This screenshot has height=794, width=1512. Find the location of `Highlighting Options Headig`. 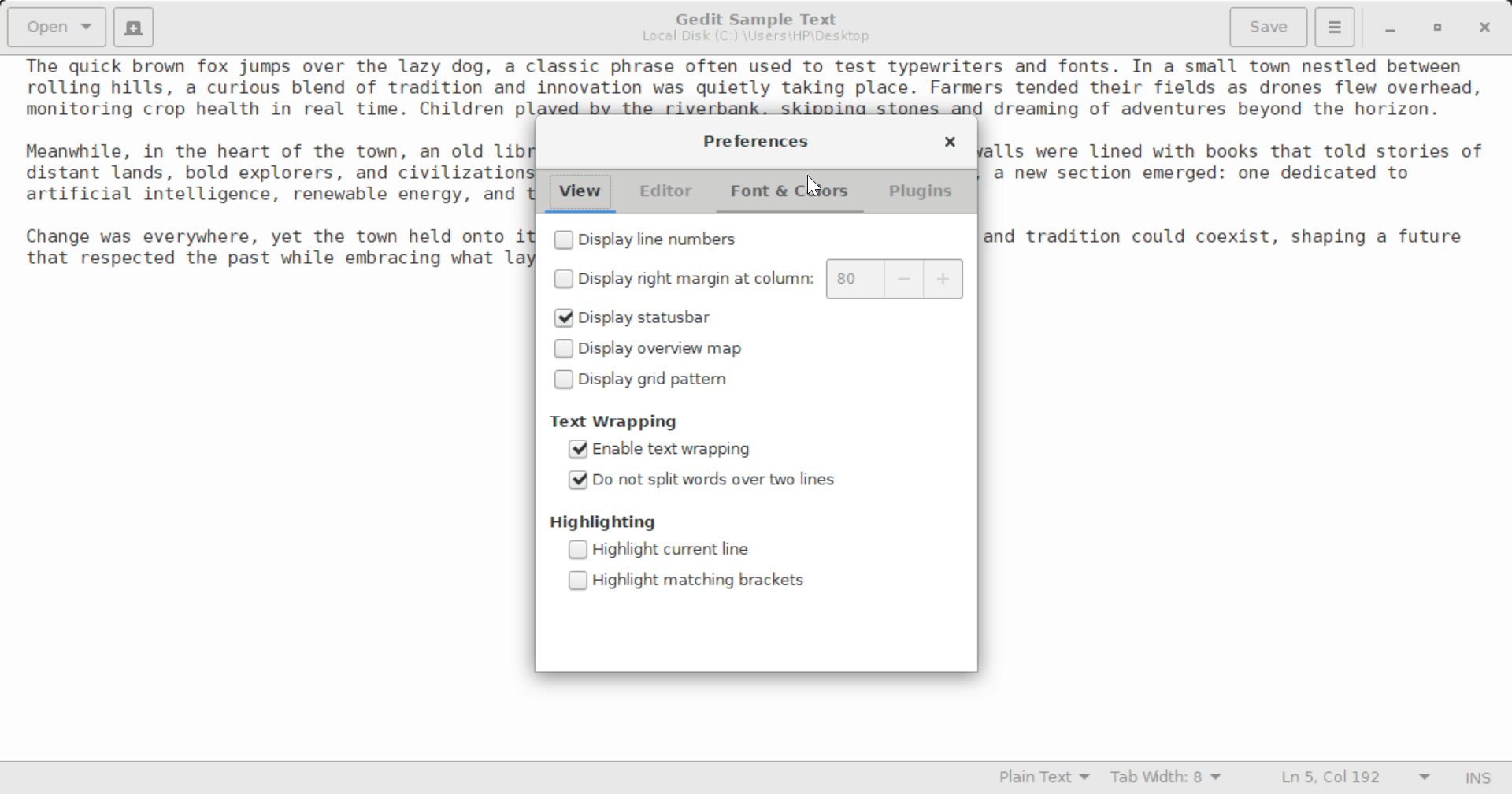

Highlighting Options Headig is located at coordinates (606, 521).